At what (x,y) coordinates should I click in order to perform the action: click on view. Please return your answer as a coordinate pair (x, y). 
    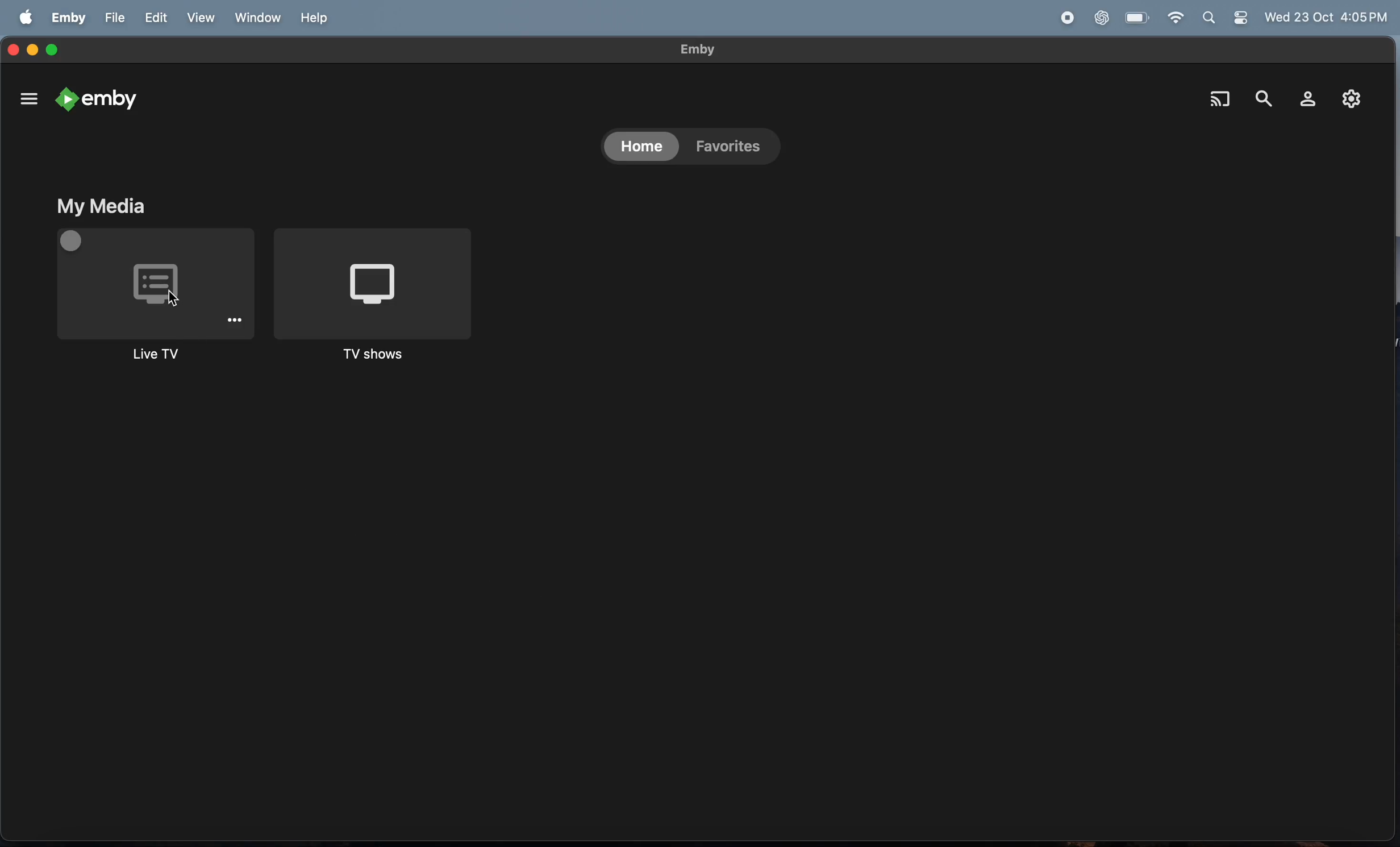
    Looking at the image, I should click on (199, 18).